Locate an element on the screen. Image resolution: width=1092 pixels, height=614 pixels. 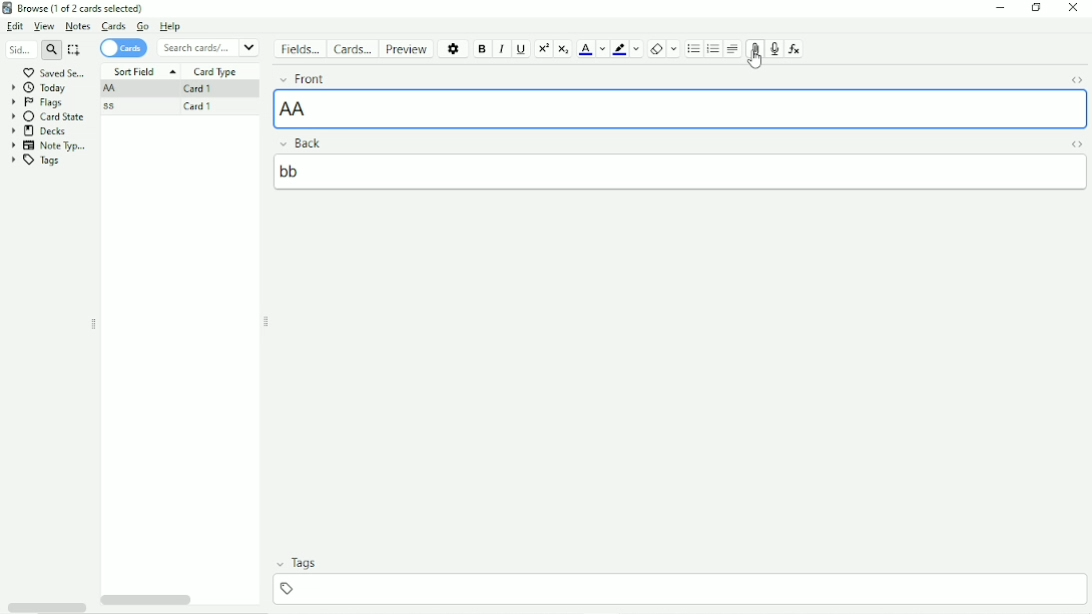
Today is located at coordinates (43, 88).